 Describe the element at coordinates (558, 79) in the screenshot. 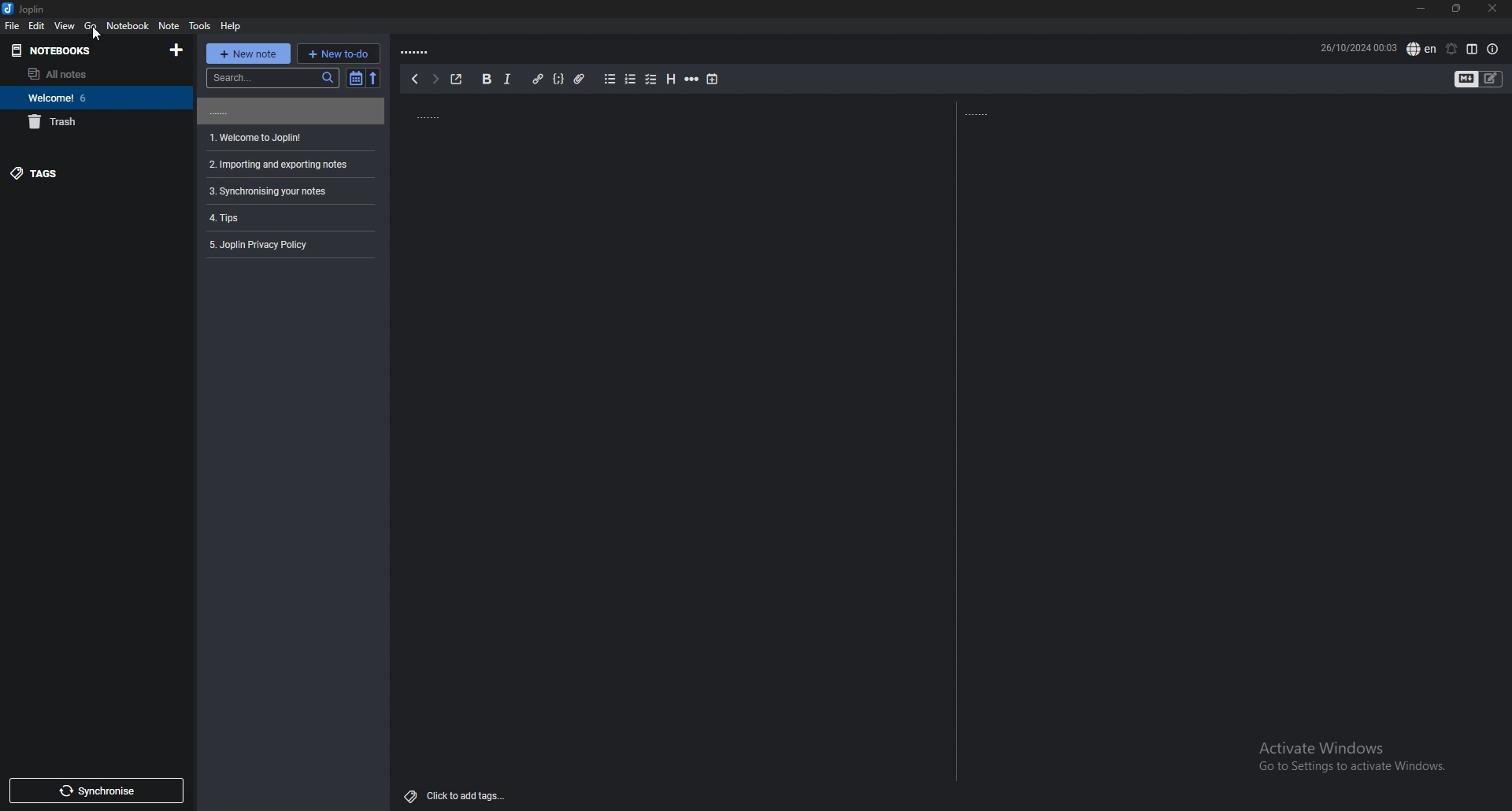

I see `code` at that location.